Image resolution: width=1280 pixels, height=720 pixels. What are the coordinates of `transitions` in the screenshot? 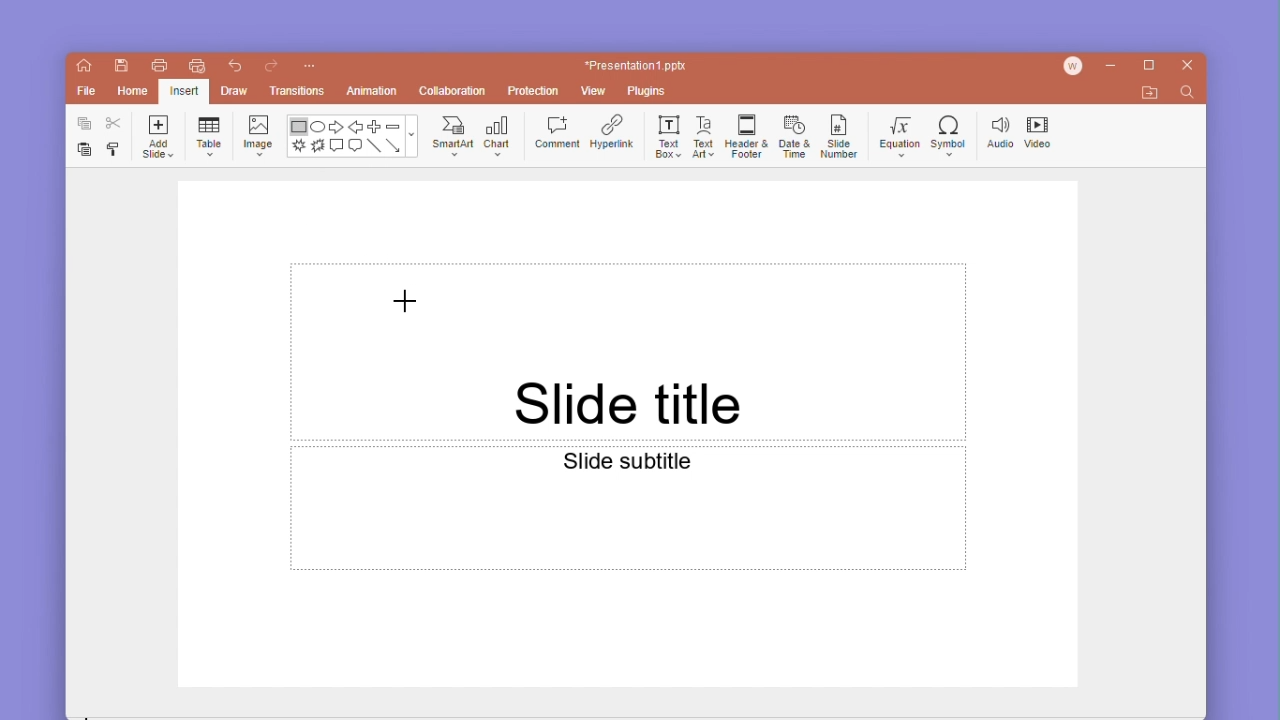 It's located at (296, 90).